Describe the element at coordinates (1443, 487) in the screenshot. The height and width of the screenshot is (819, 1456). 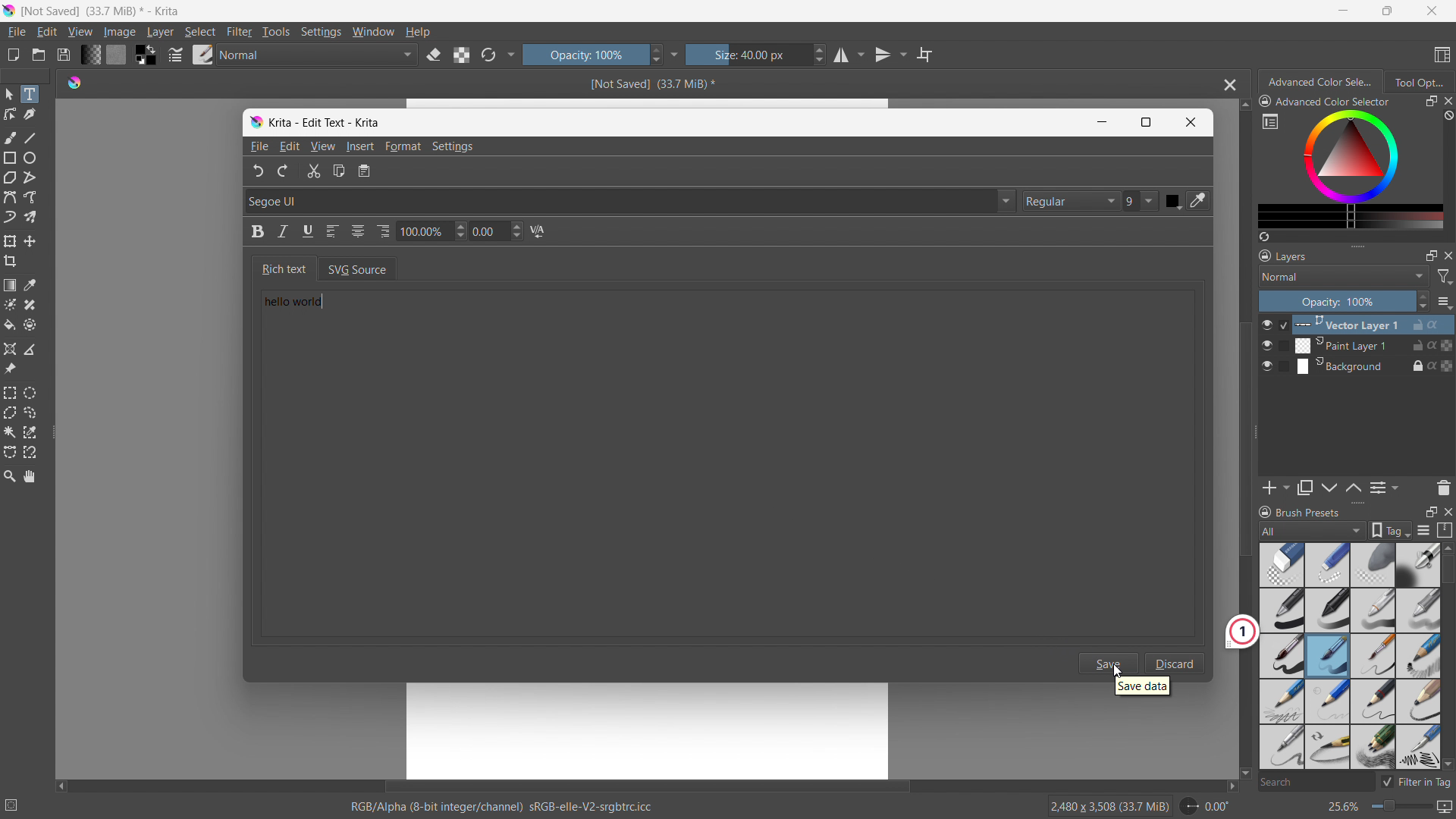
I see `delete layer` at that location.